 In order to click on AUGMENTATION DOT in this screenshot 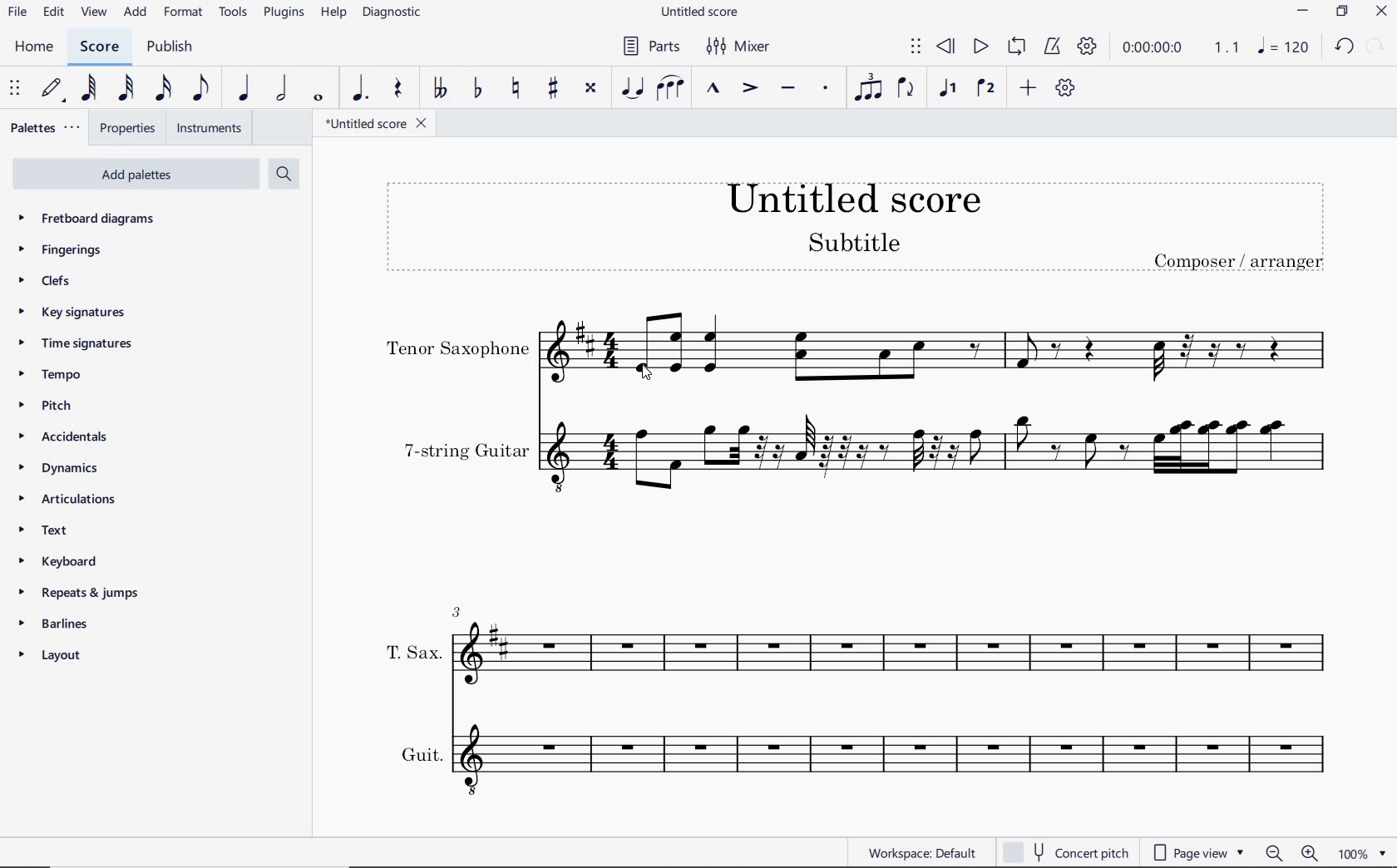, I will do `click(361, 89)`.